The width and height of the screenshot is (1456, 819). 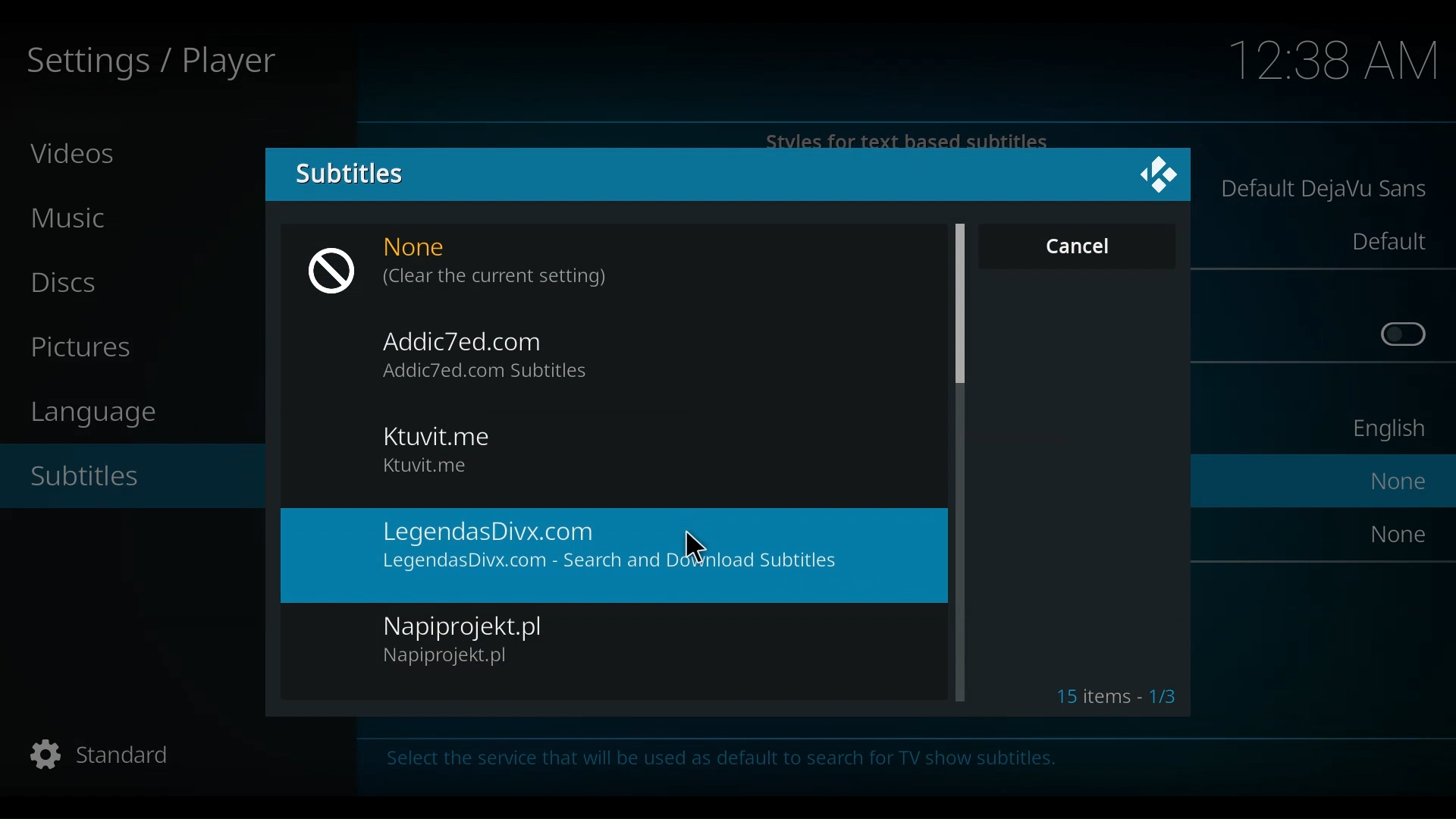 I want to click on Videos, so click(x=75, y=152).